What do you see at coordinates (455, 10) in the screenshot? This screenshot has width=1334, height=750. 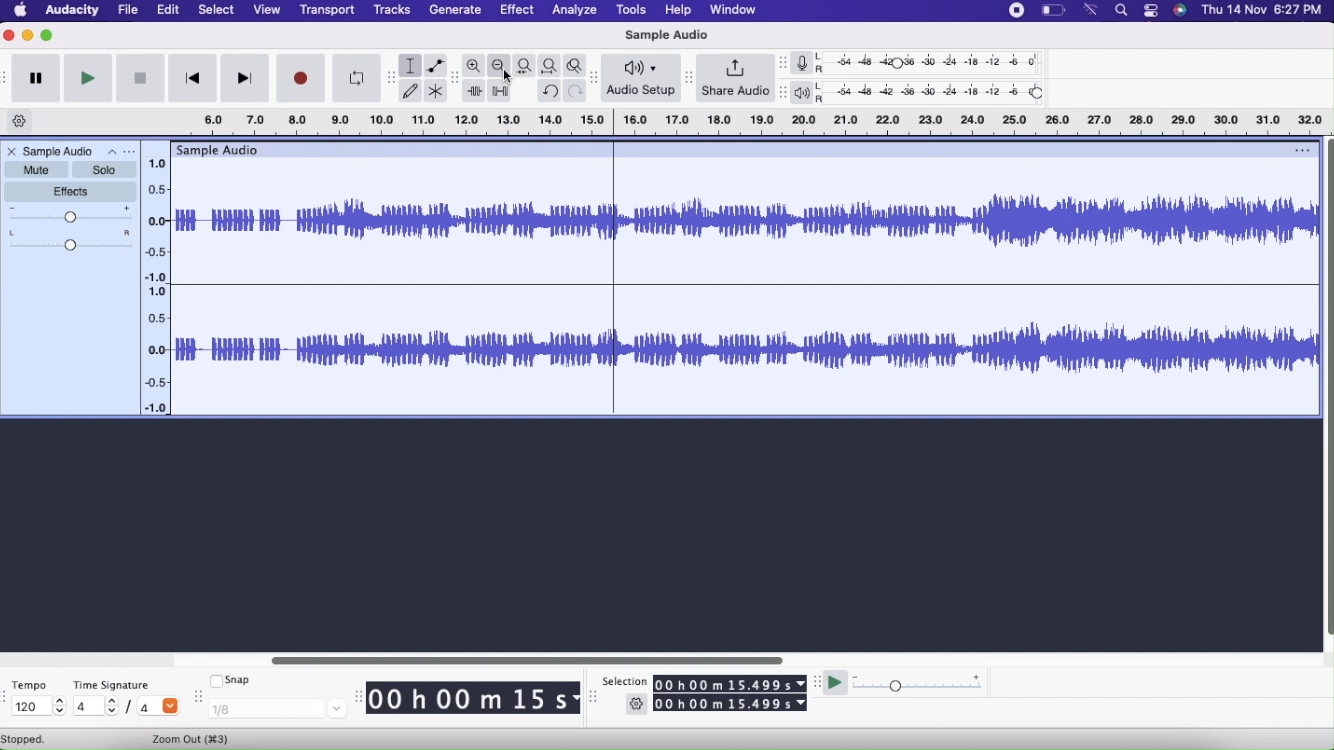 I see `Generate` at bounding box center [455, 10].